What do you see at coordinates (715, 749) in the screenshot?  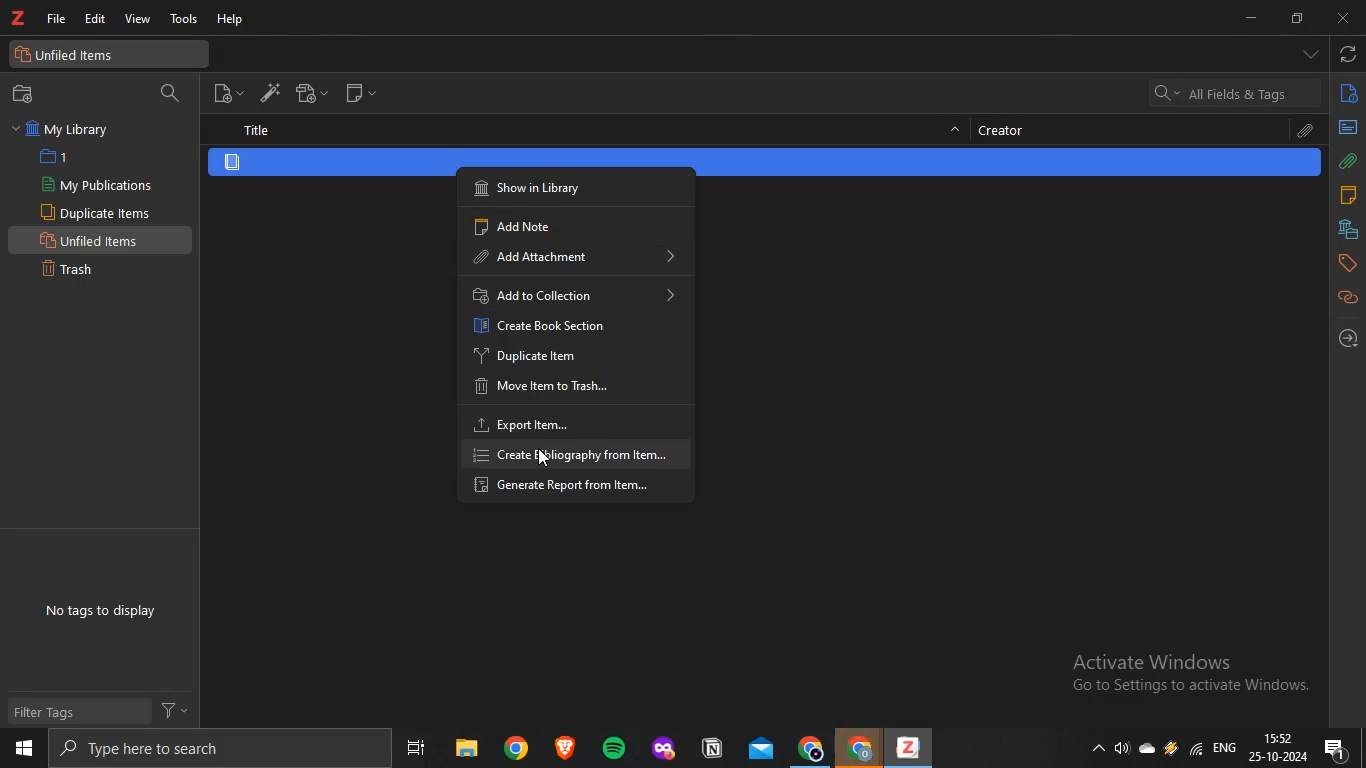 I see `application` at bounding box center [715, 749].